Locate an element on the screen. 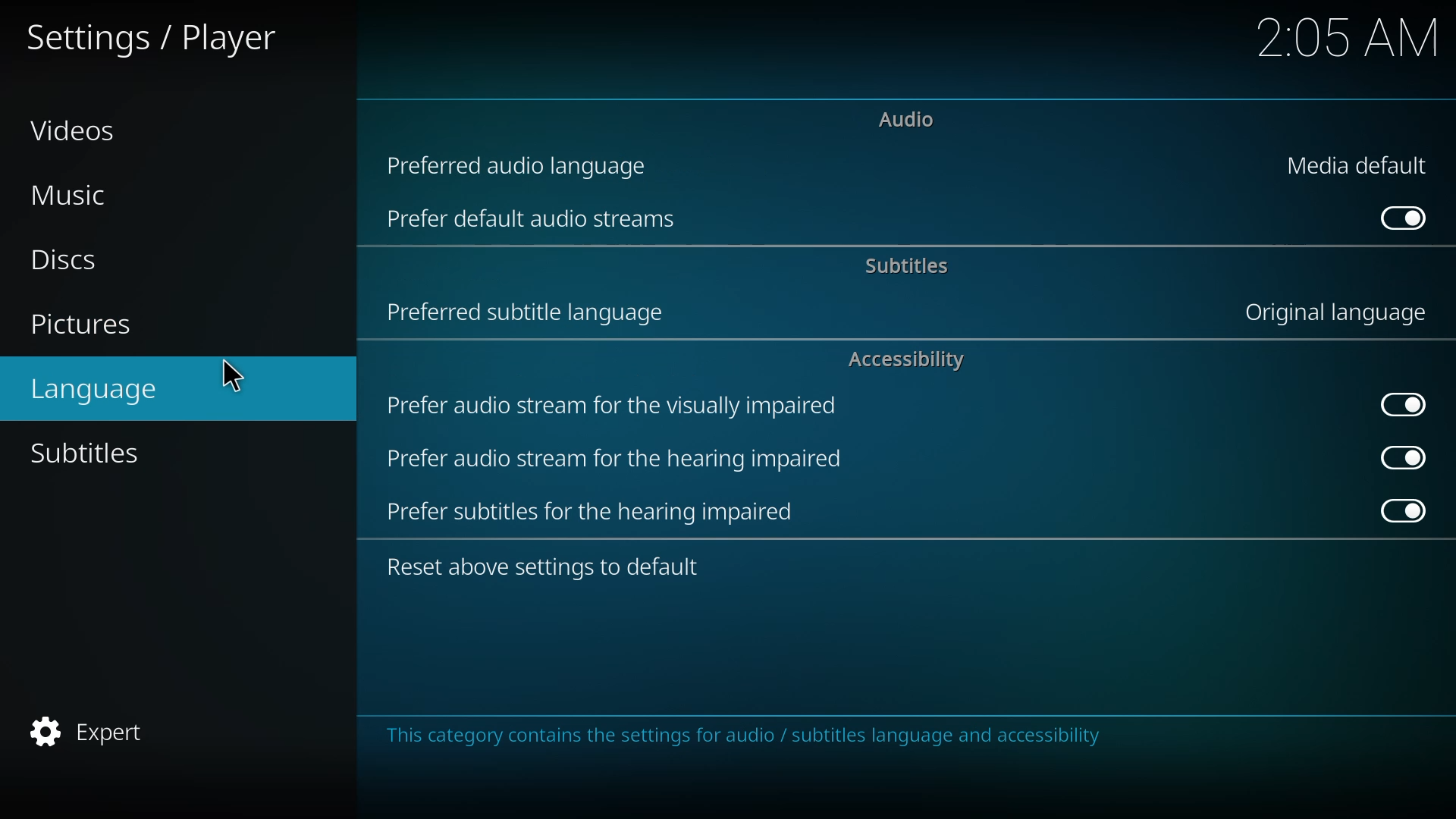  prefer default audio is located at coordinates (535, 218).